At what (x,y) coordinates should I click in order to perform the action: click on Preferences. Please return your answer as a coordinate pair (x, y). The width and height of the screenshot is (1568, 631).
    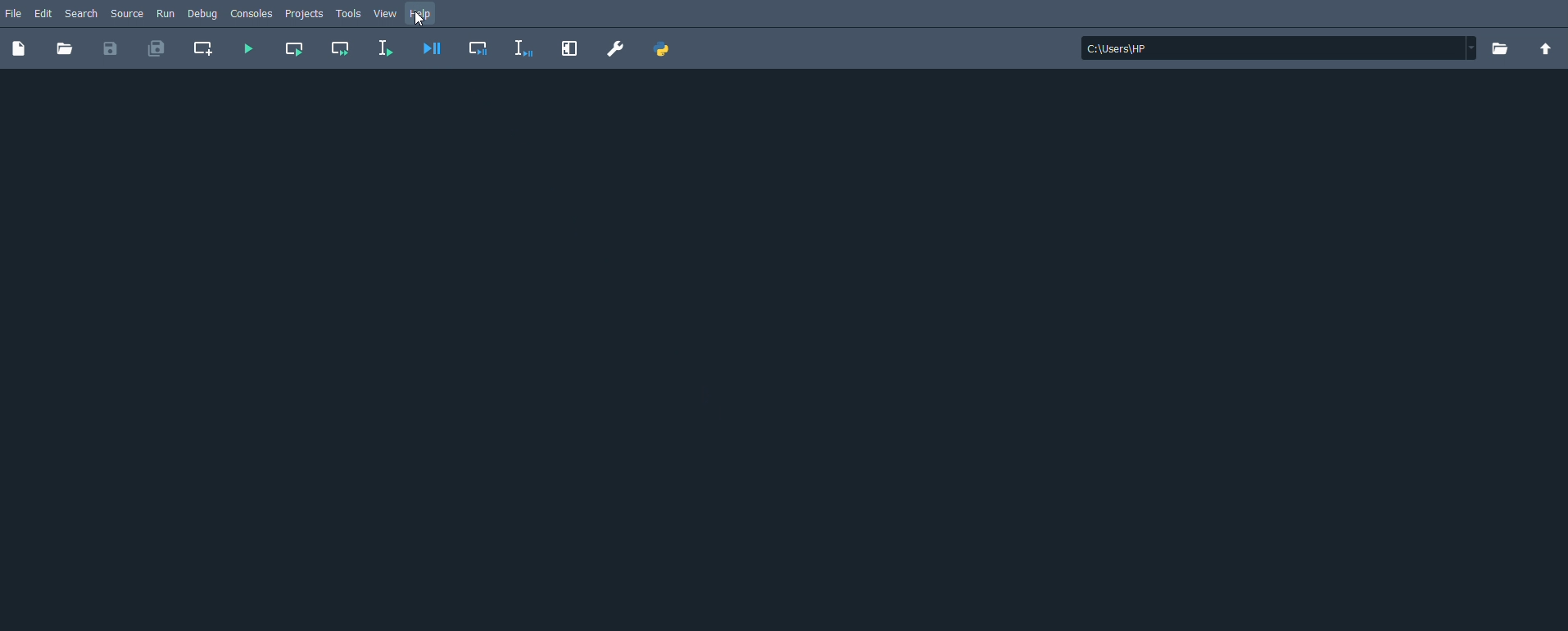
    Looking at the image, I should click on (615, 48).